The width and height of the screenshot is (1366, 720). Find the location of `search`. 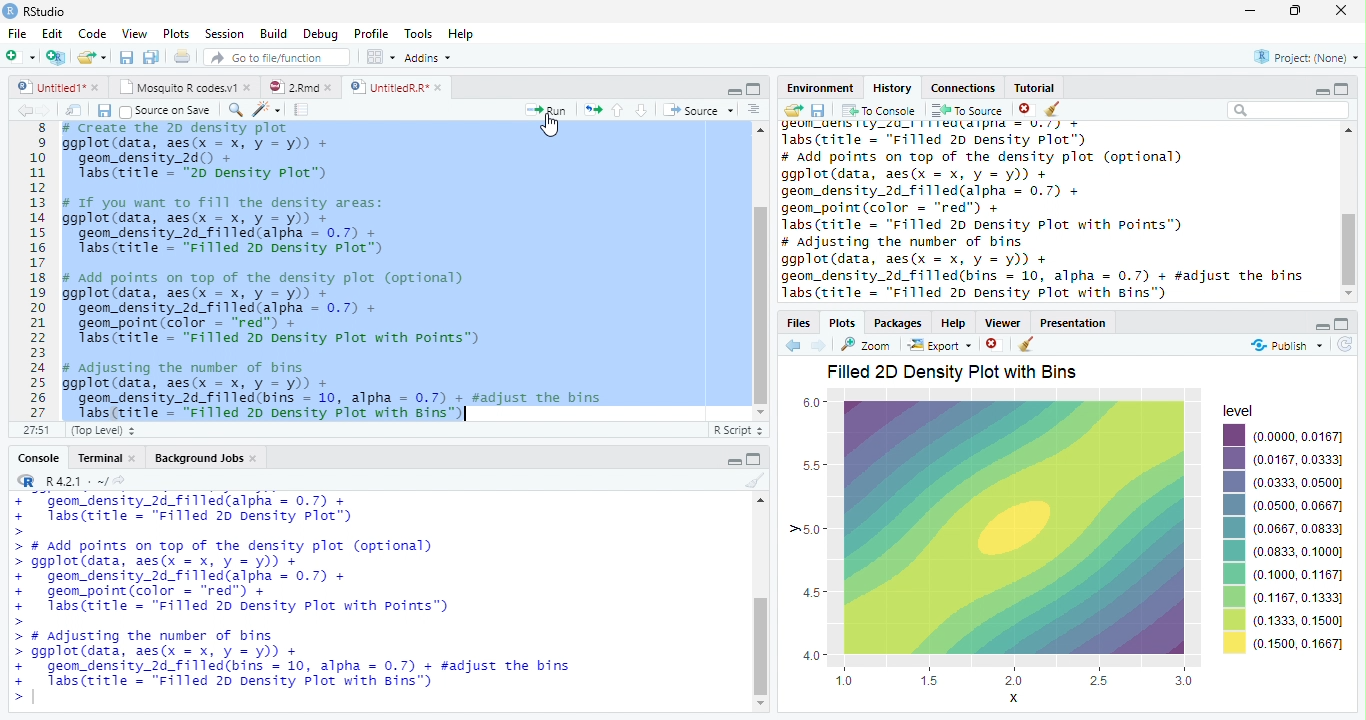

search is located at coordinates (232, 109).